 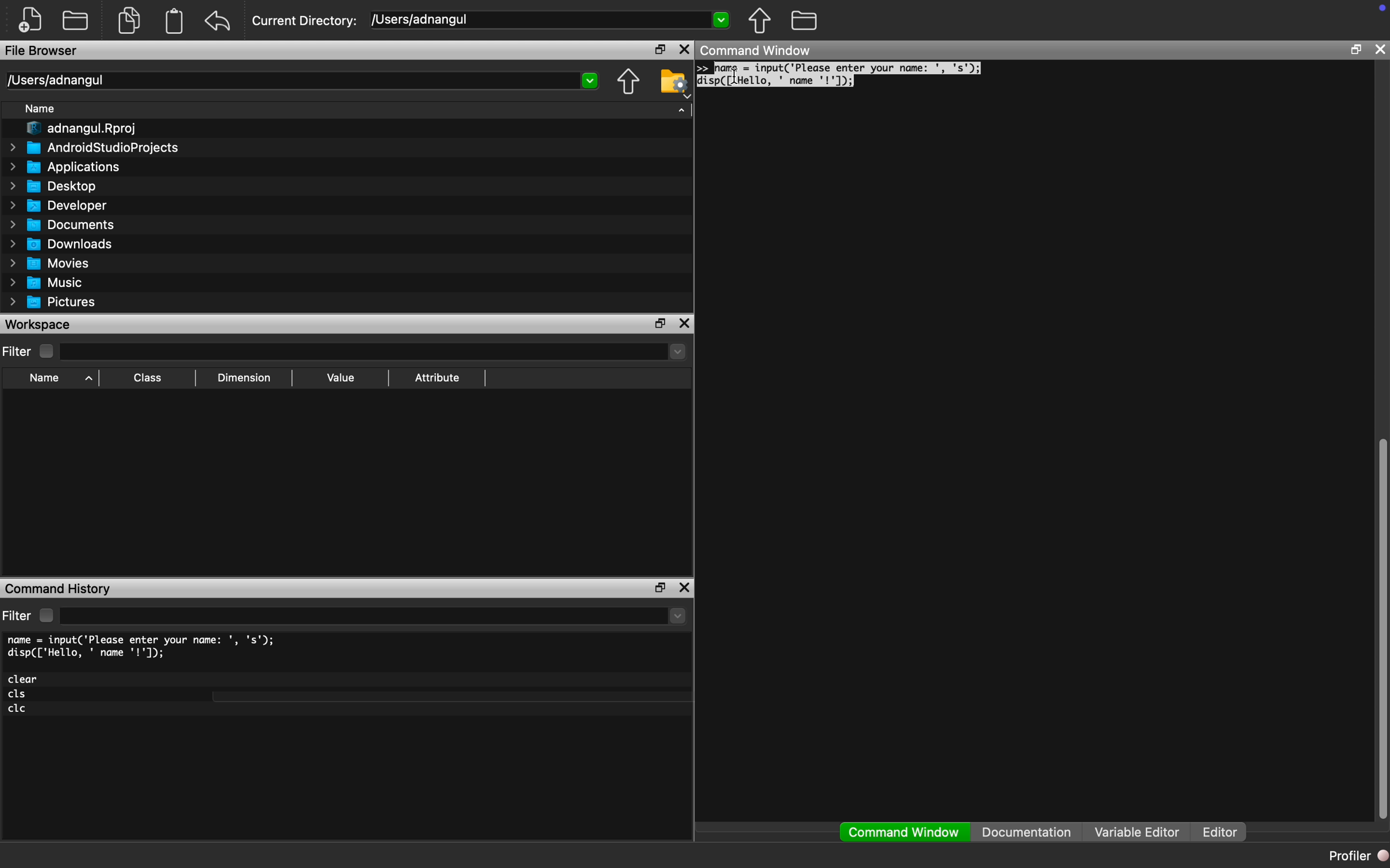 What do you see at coordinates (145, 378) in the screenshot?
I see `Class` at bounding box center [145, 378].